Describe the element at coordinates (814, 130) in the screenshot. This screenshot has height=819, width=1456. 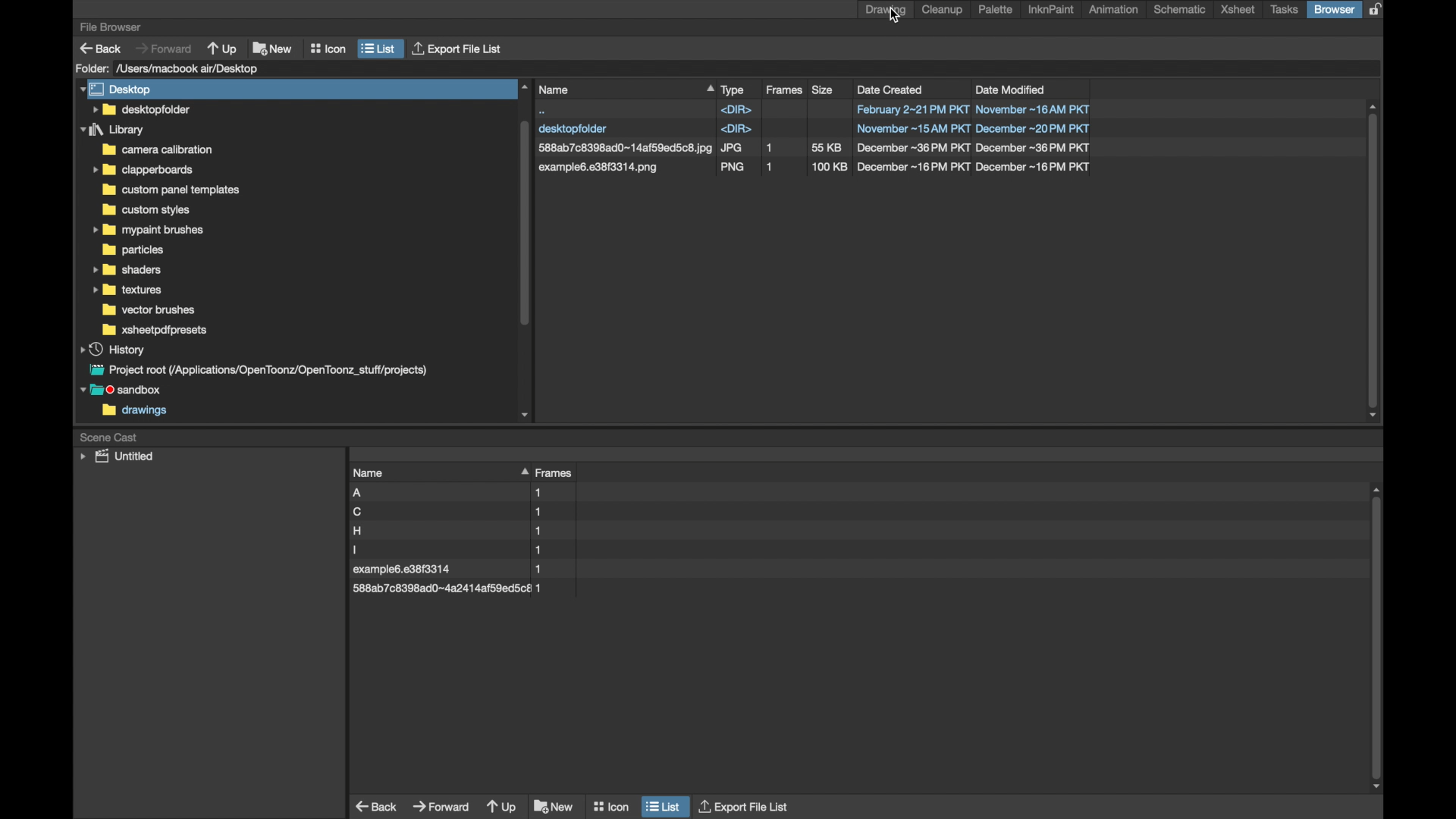
I see `file` at that location.